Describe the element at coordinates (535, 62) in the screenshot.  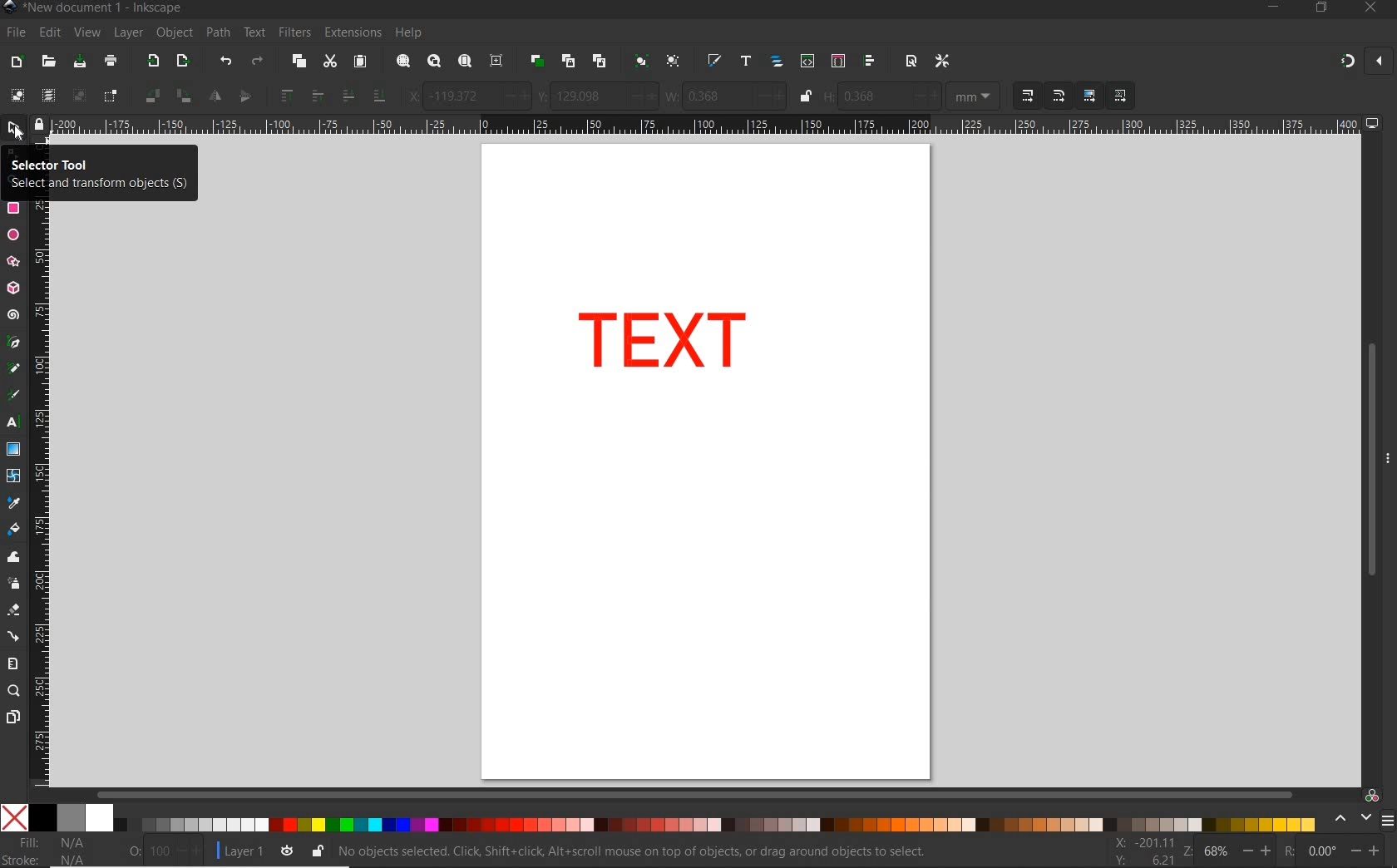
I see `DUPLICATE` at that location.